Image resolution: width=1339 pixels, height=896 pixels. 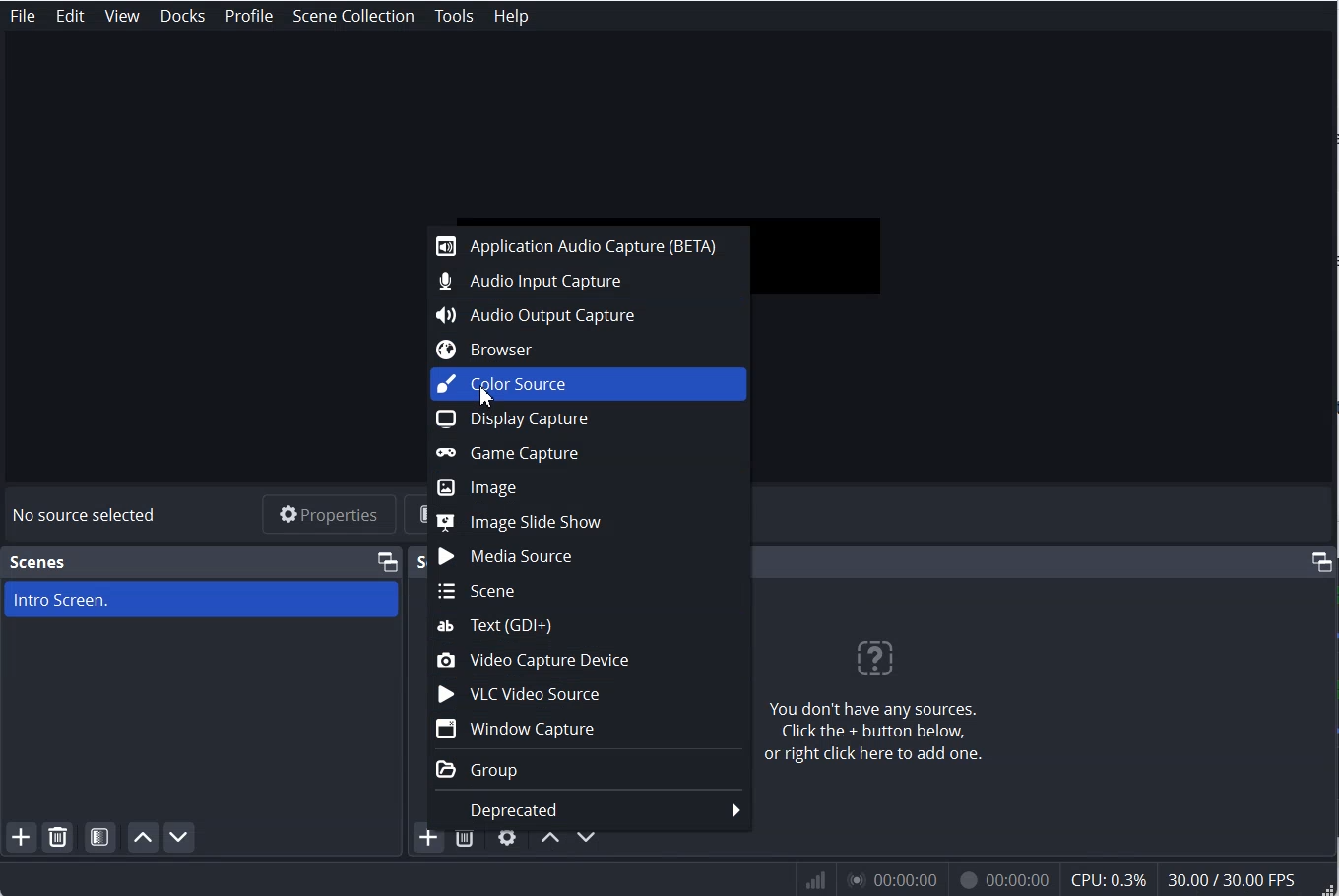 I want to click on 30.00/ 30, so click(x=1235, y=881).